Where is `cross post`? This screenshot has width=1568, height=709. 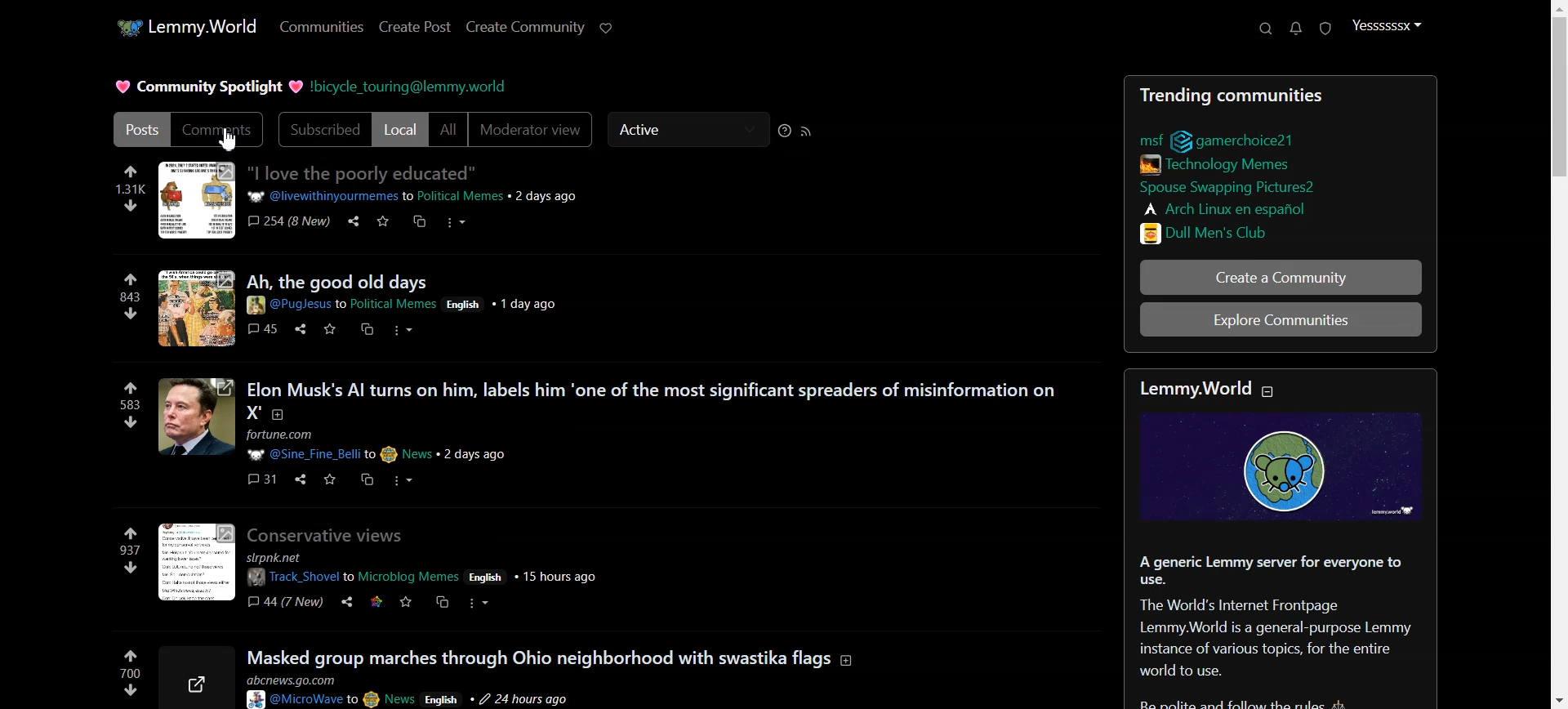 cross post is located at coordinates (367, 328).